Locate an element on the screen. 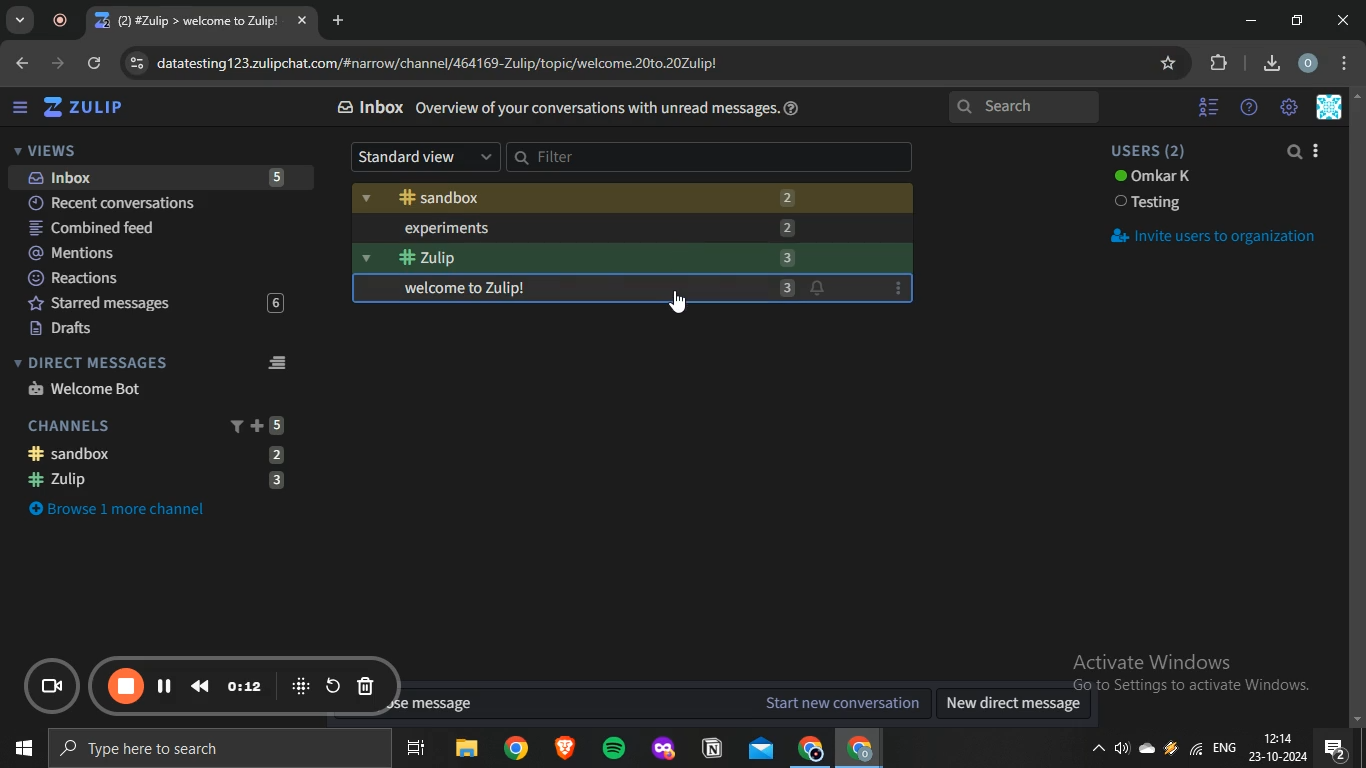  zulip is located at coordinates (159, 481).